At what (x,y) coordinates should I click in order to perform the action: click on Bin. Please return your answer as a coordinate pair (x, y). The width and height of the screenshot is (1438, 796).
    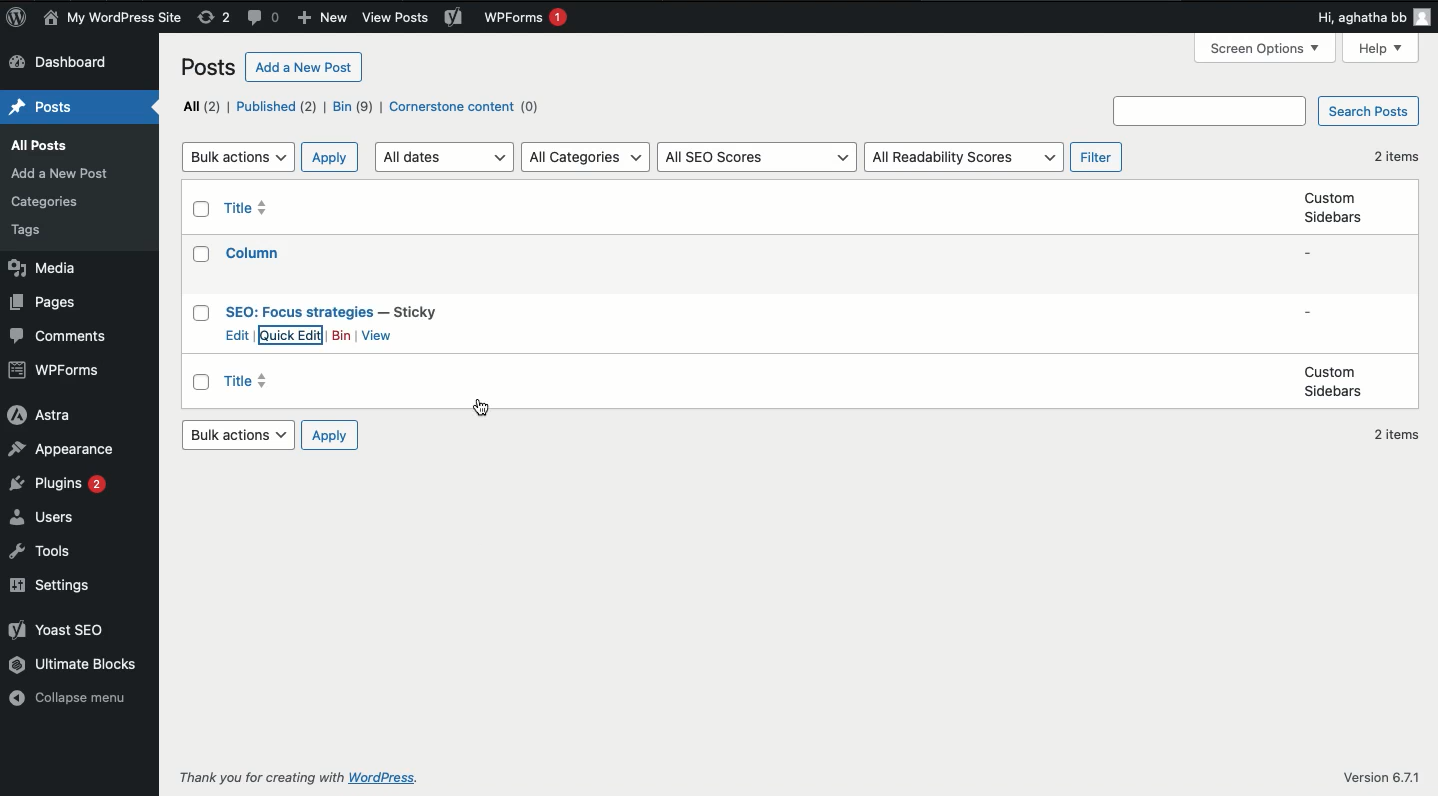
    Looking at the image, I should click on (341, 336).